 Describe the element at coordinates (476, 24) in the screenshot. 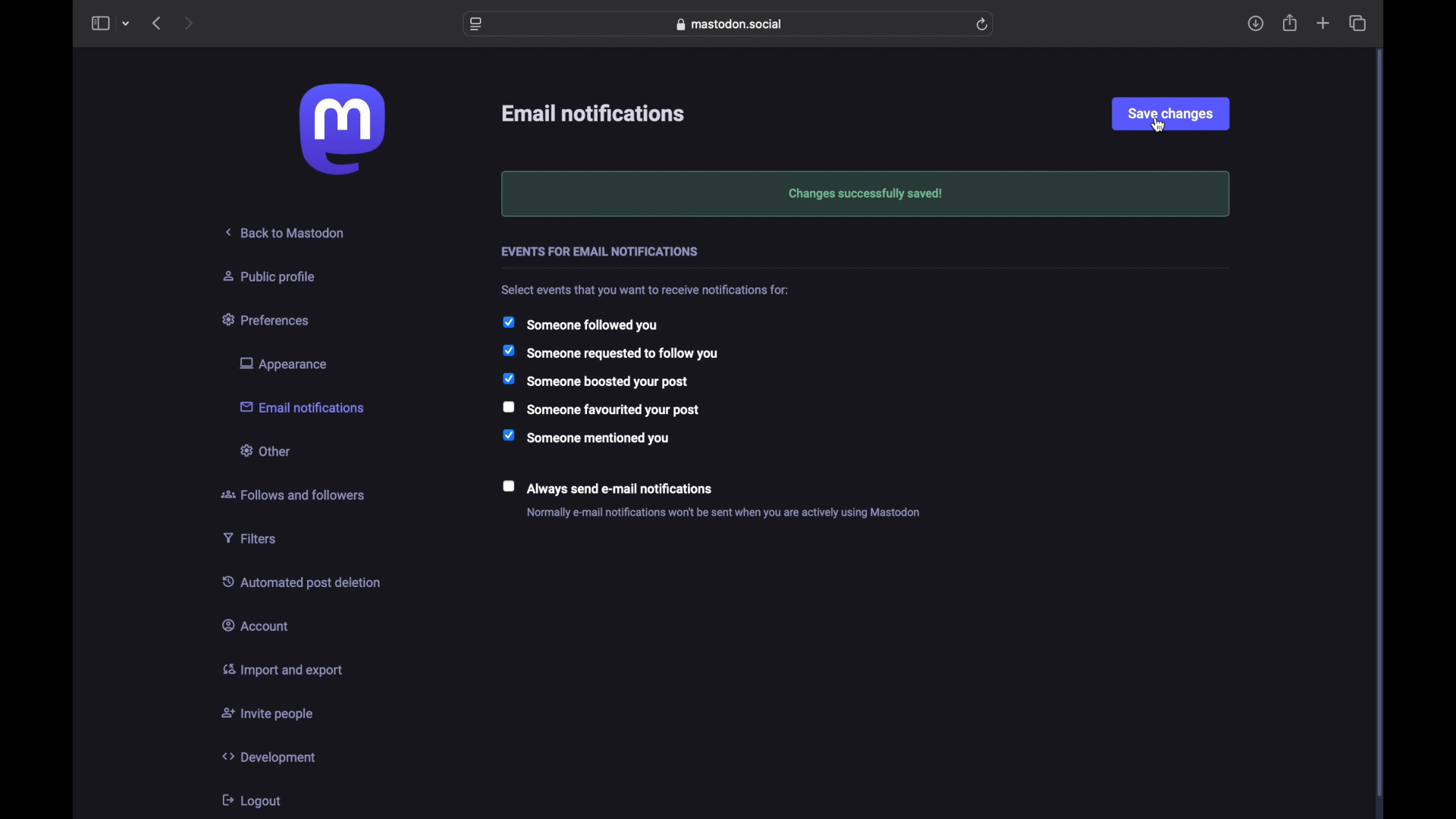

I see `website settings` at that location.